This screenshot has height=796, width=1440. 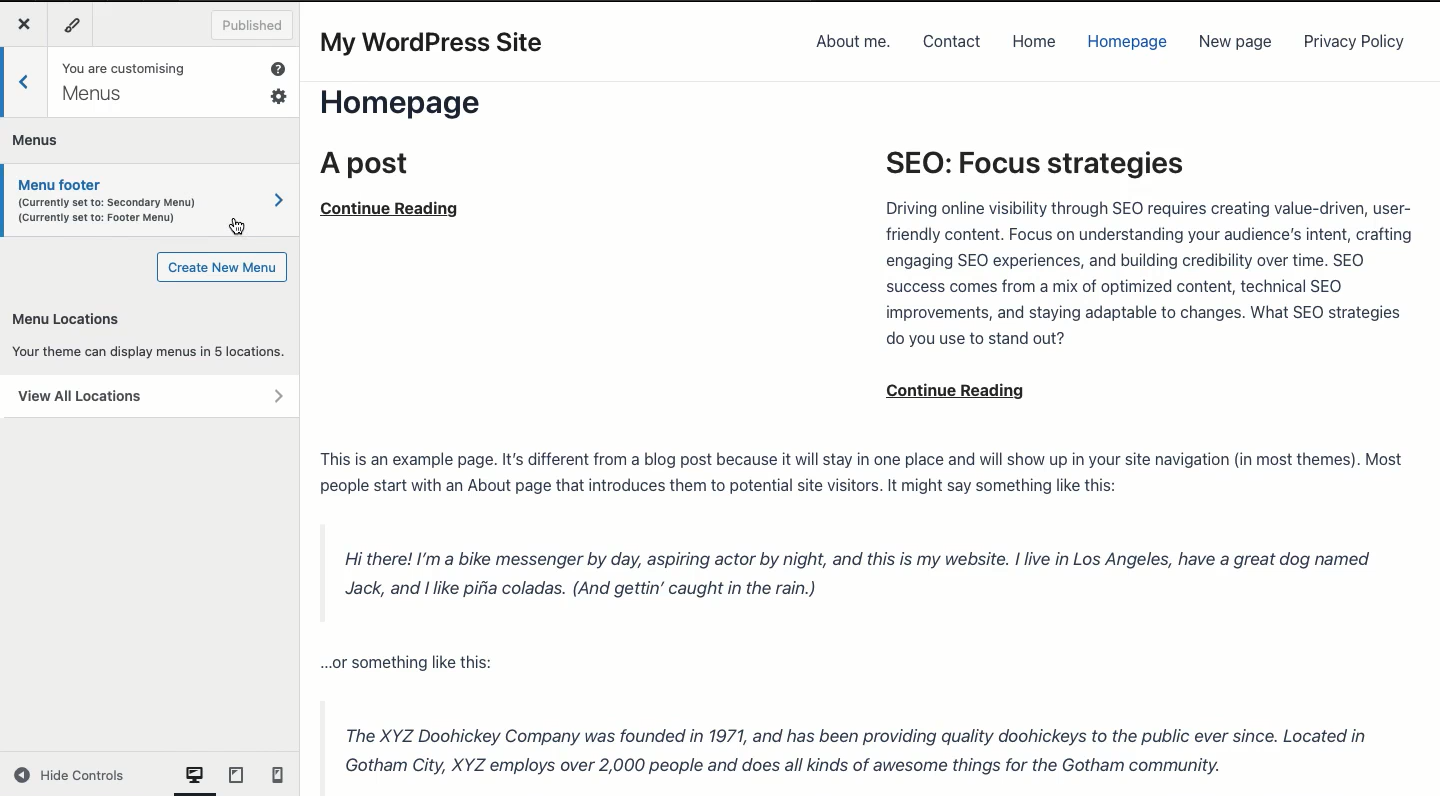 What do you see at coordinates (23, 23) in the screenshot?
I see `Close` at bounding box center [23, 23].